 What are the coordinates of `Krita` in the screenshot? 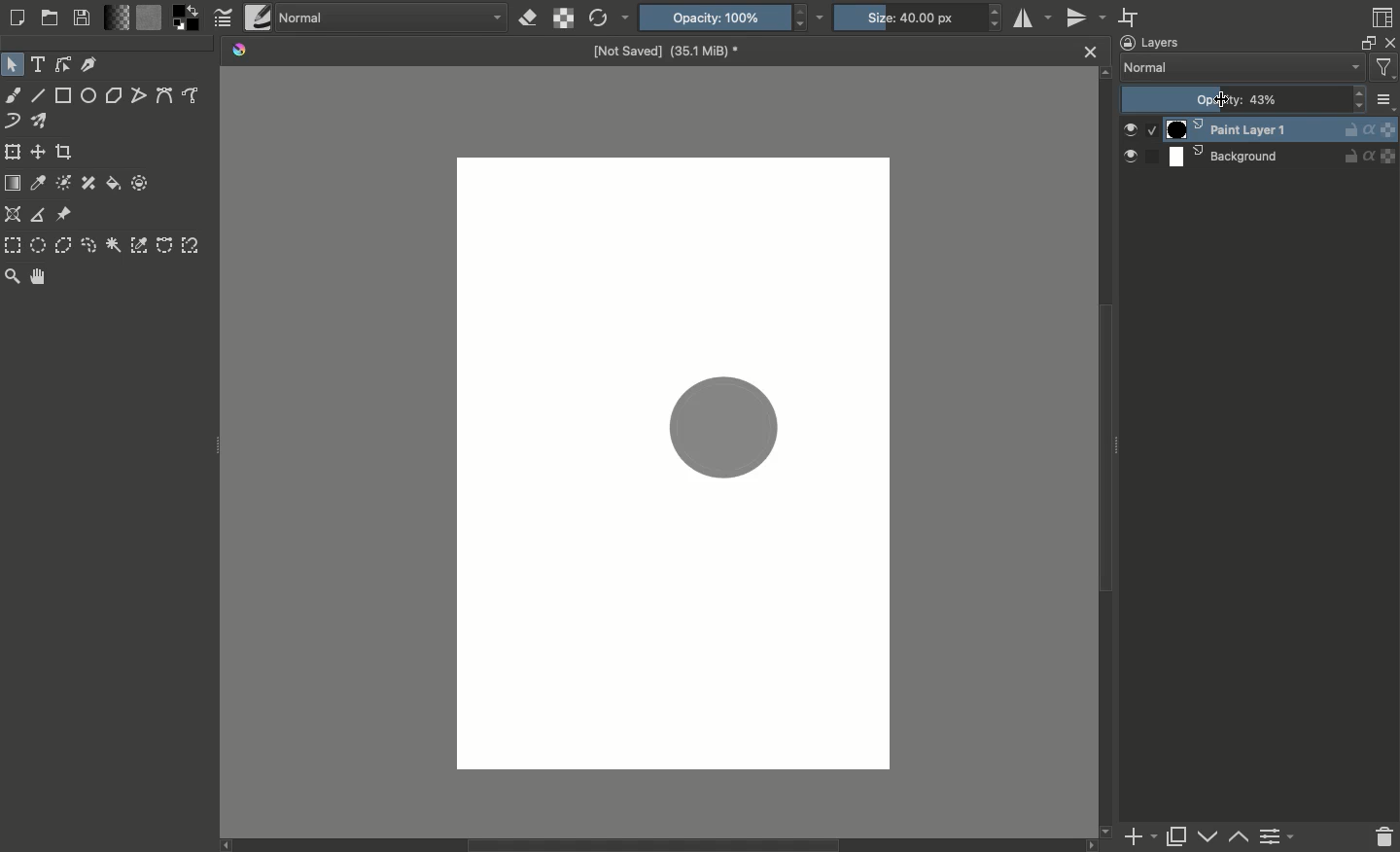 It's located at (242, 50).